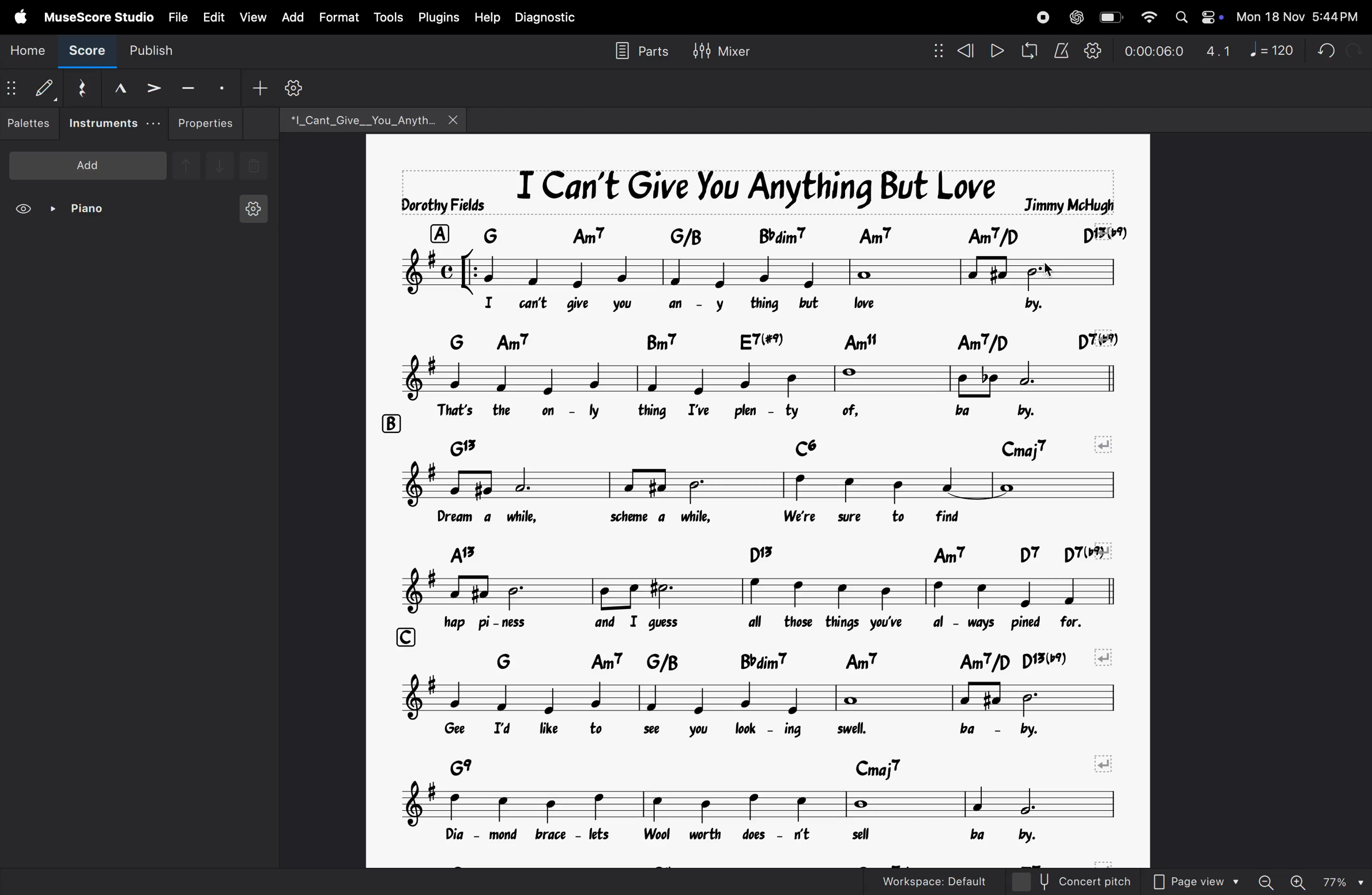 This screenshot has width=1372, height=895. What do you see at coordinates (1265, 882) in the screenshot?
I see `zoom out` at bounding box center [1265, 882].